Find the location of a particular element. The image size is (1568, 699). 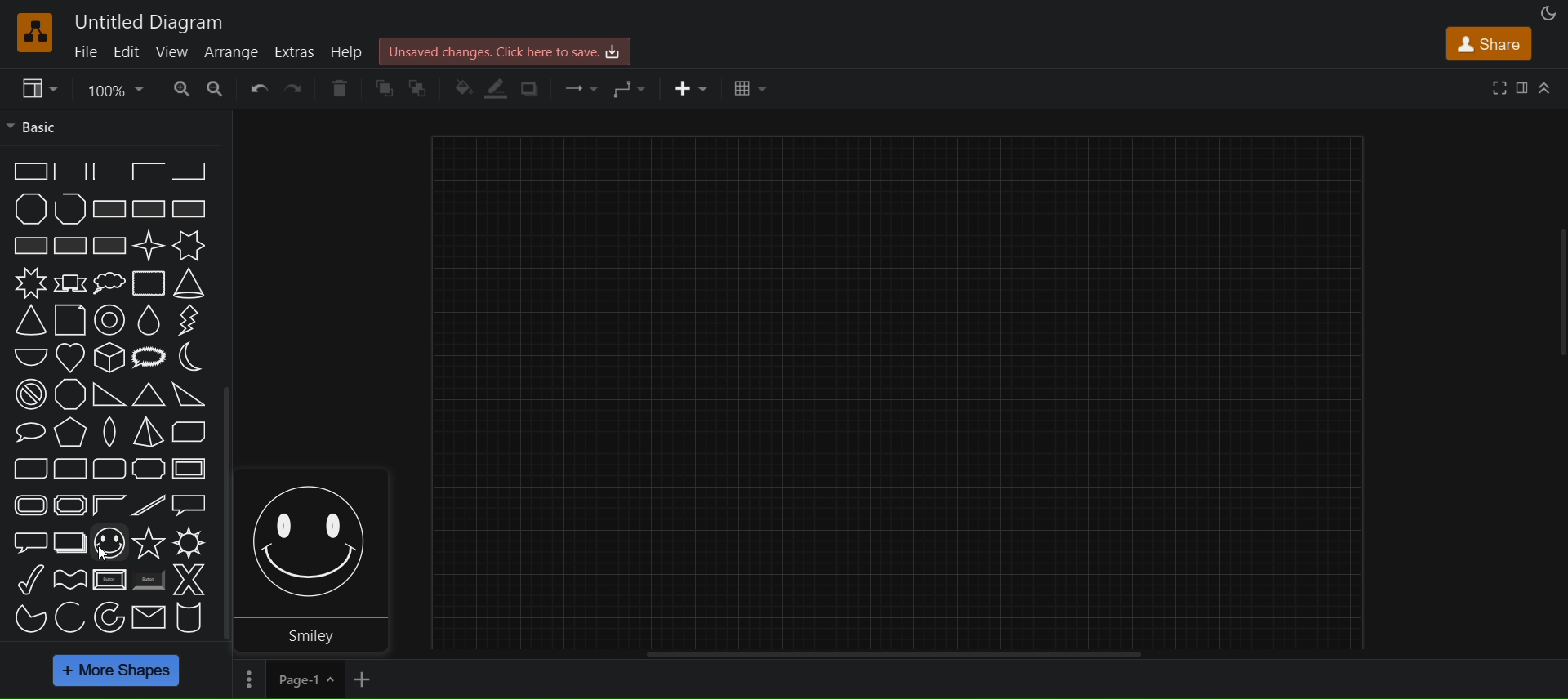

rectangular callout is located at coordinates (189, 505).